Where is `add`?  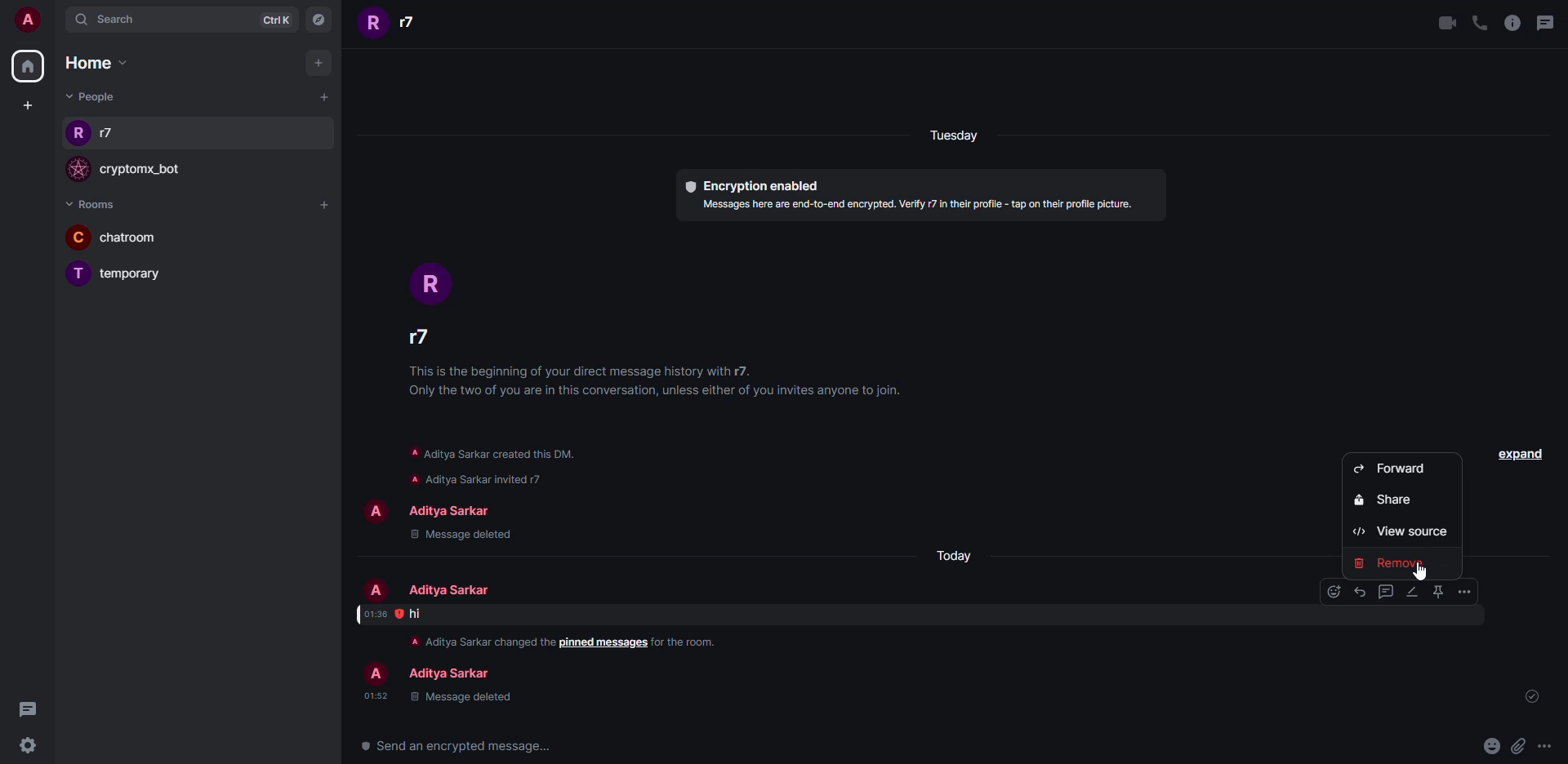
add is located at coordinates (323, 204).